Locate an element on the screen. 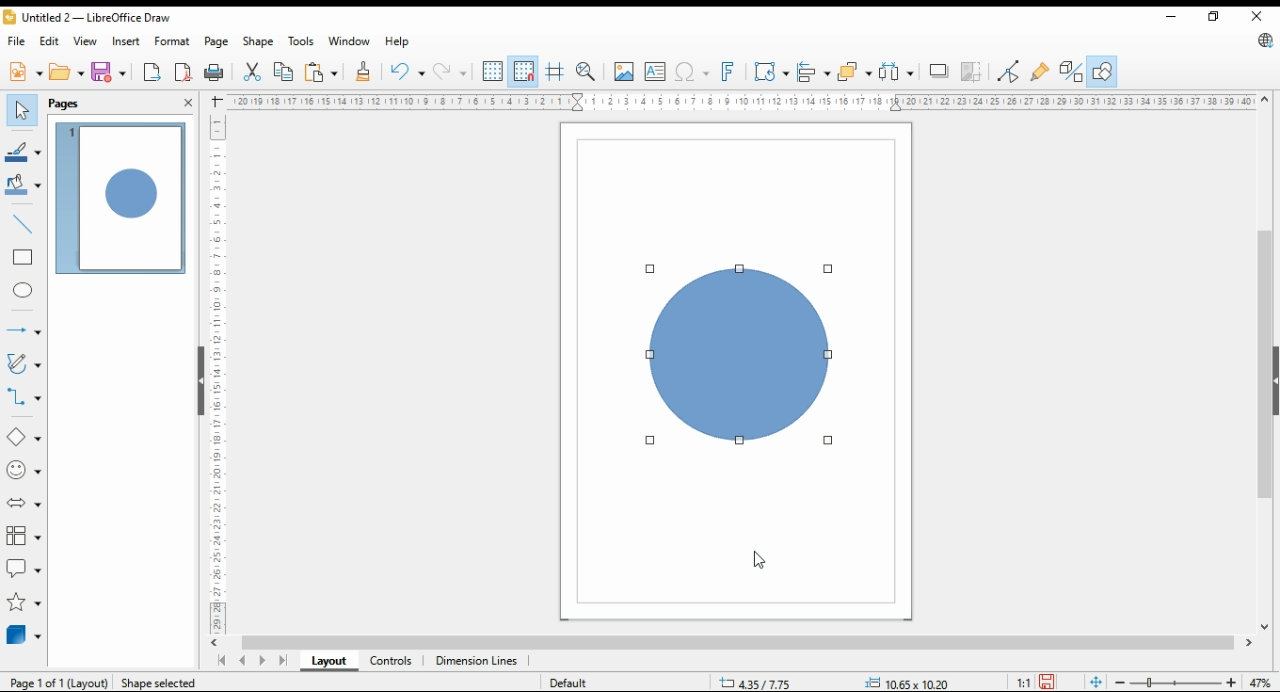 The height and width of the screenshot is (692, 1280). page 1 is located at coordinates (123, 199).